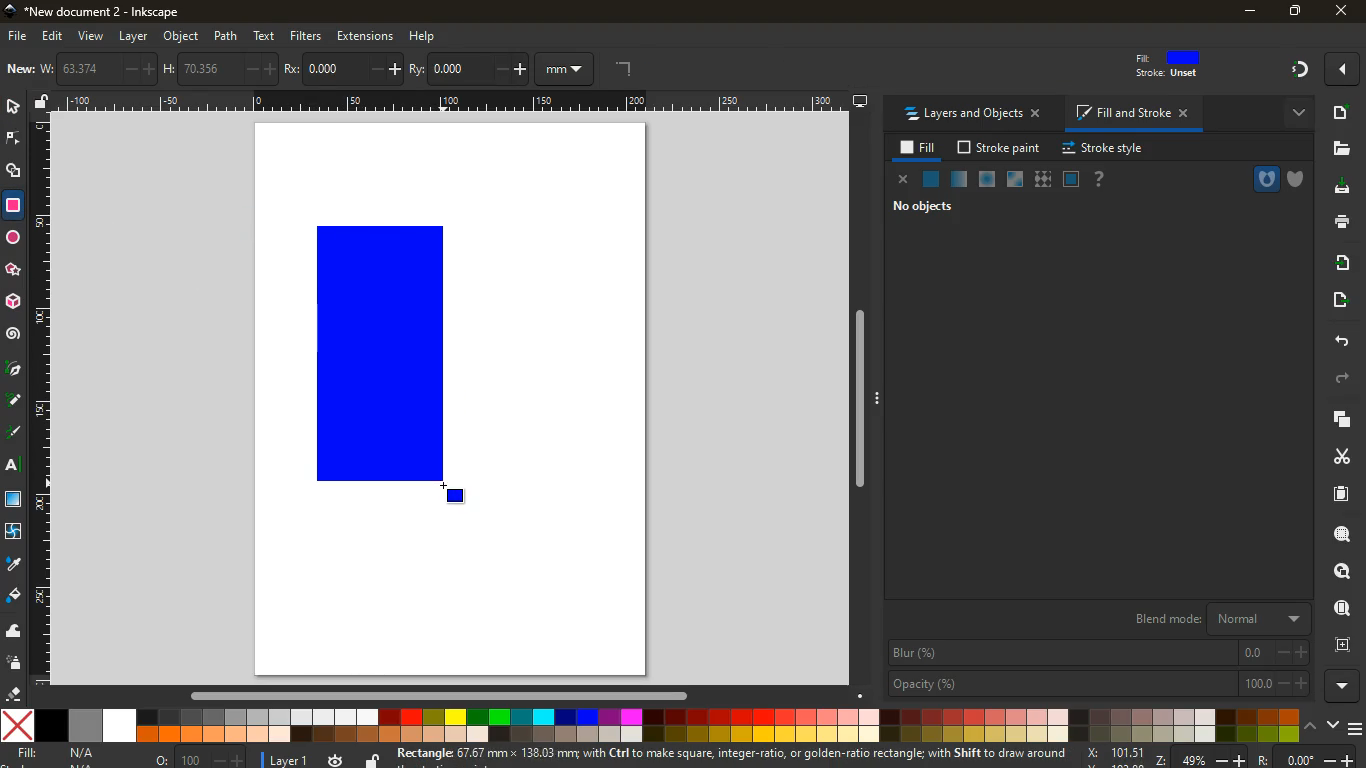 This screenshot has width=1366, height=768. What do you see at coordinates (972, 115) in the screenshot?
I see `layers and objects` at bounding box center [972, 115].